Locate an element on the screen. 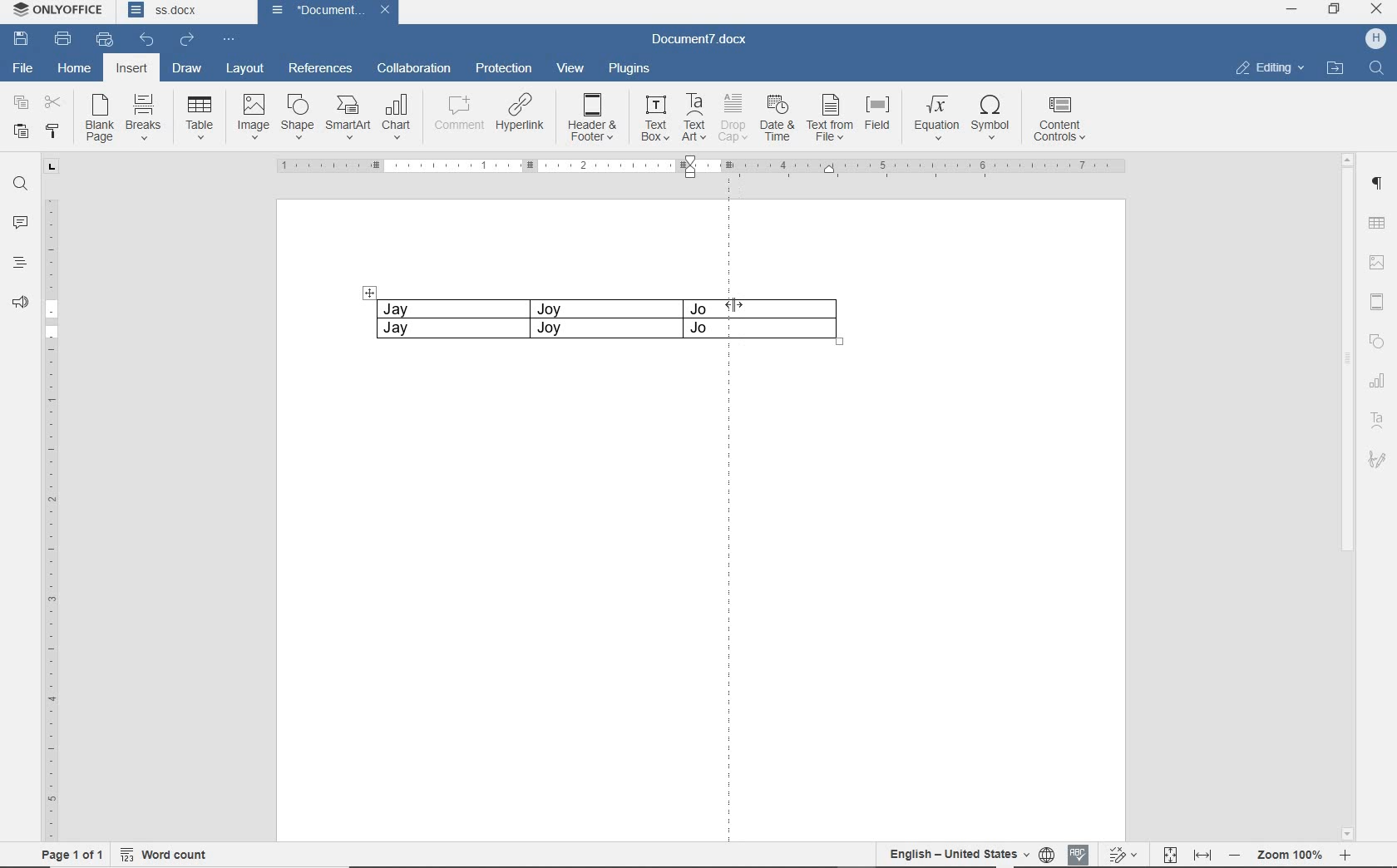  RULER is located at coordinates (51, 521).